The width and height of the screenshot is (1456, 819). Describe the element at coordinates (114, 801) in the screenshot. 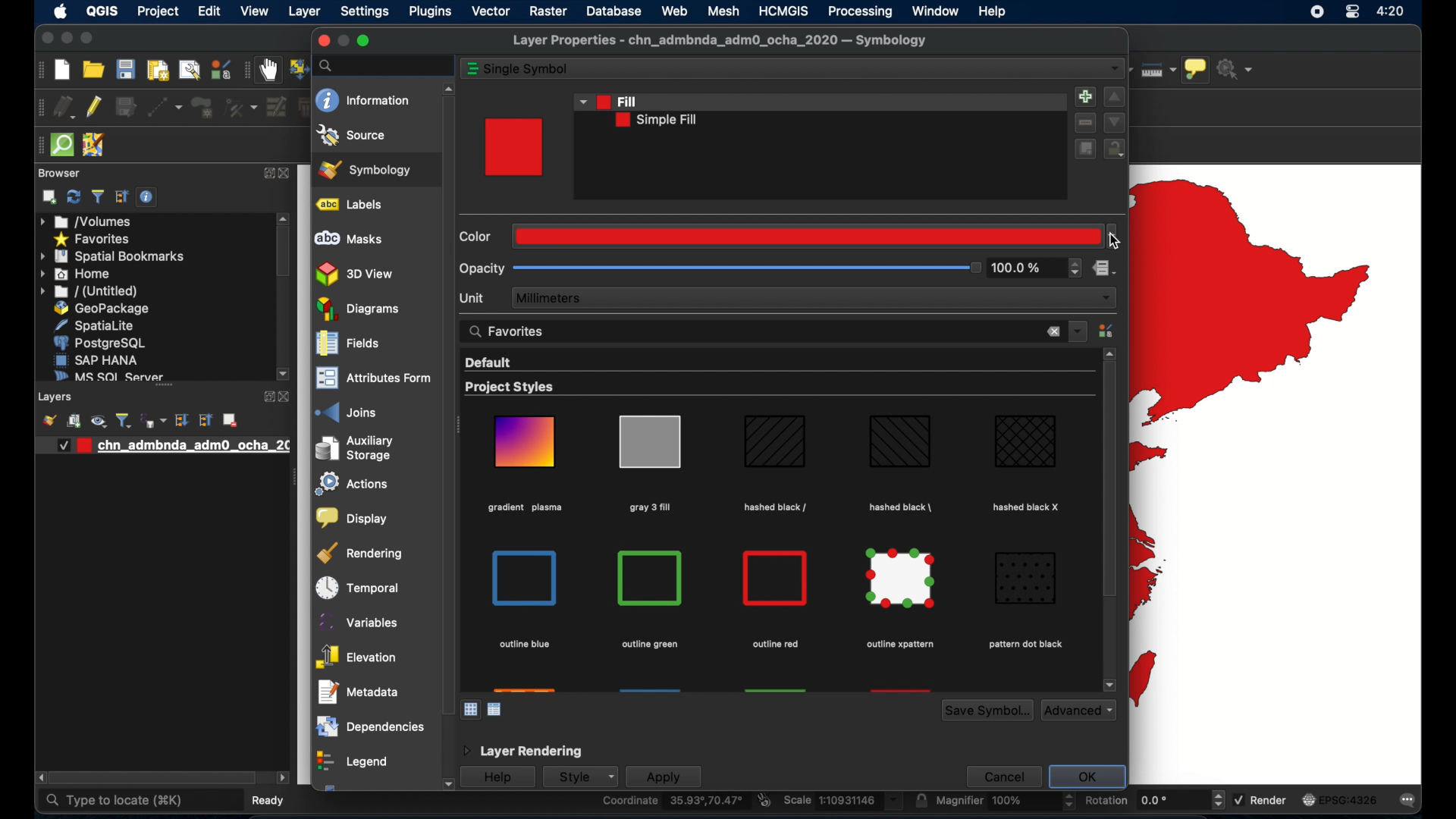

I see `type to locate` at that location.